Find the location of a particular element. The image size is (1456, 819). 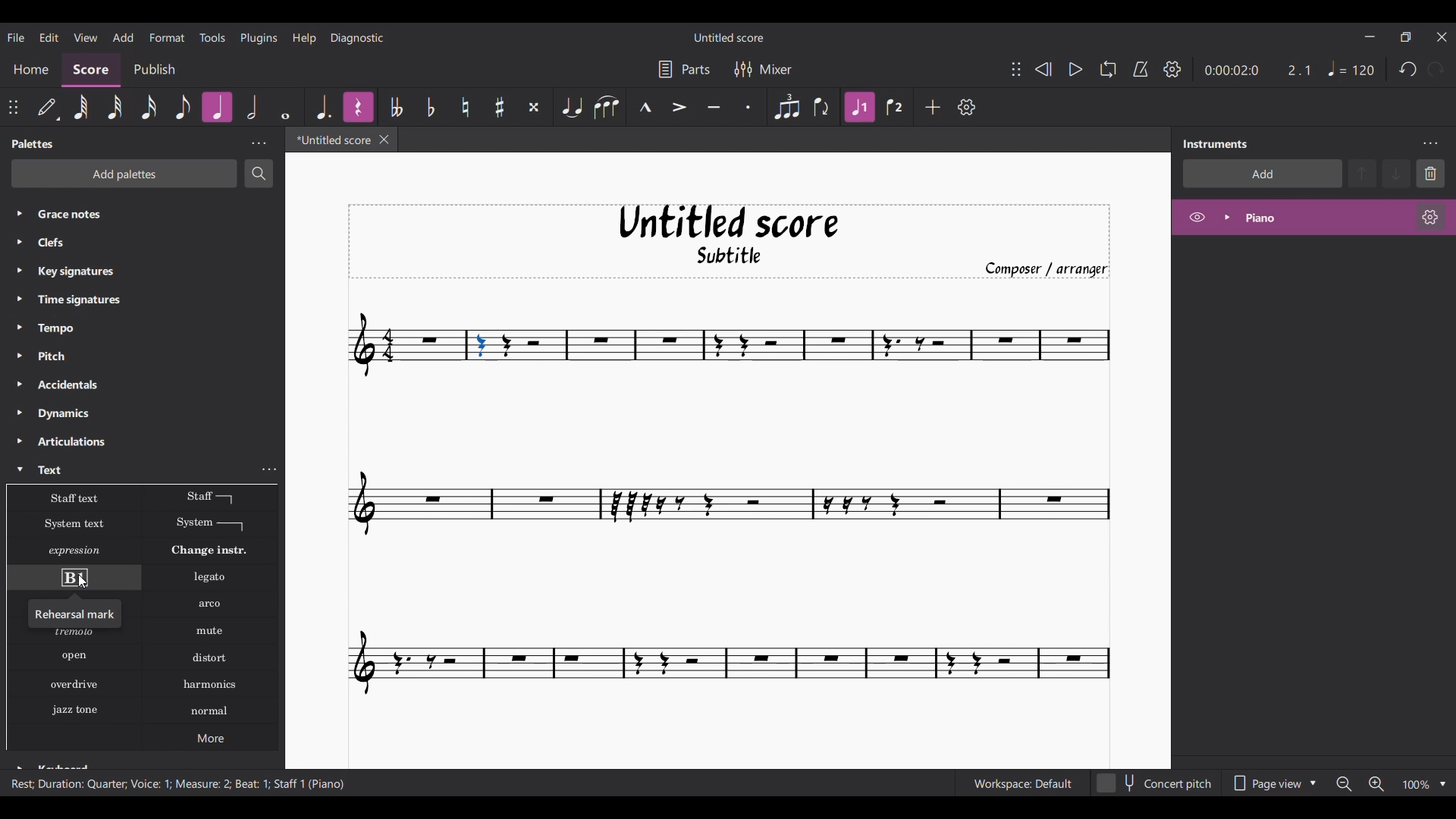

Change position of toolbar attached is located at coordinates (1016, 69).